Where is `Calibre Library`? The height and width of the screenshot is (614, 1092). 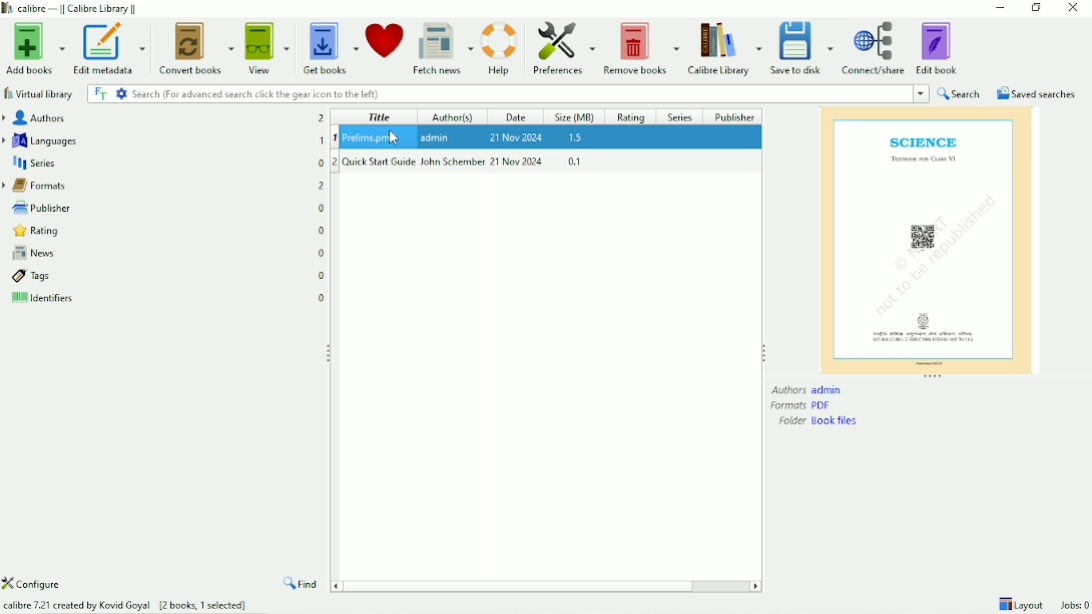 Calibre Library is located at coordinates (723, 48).